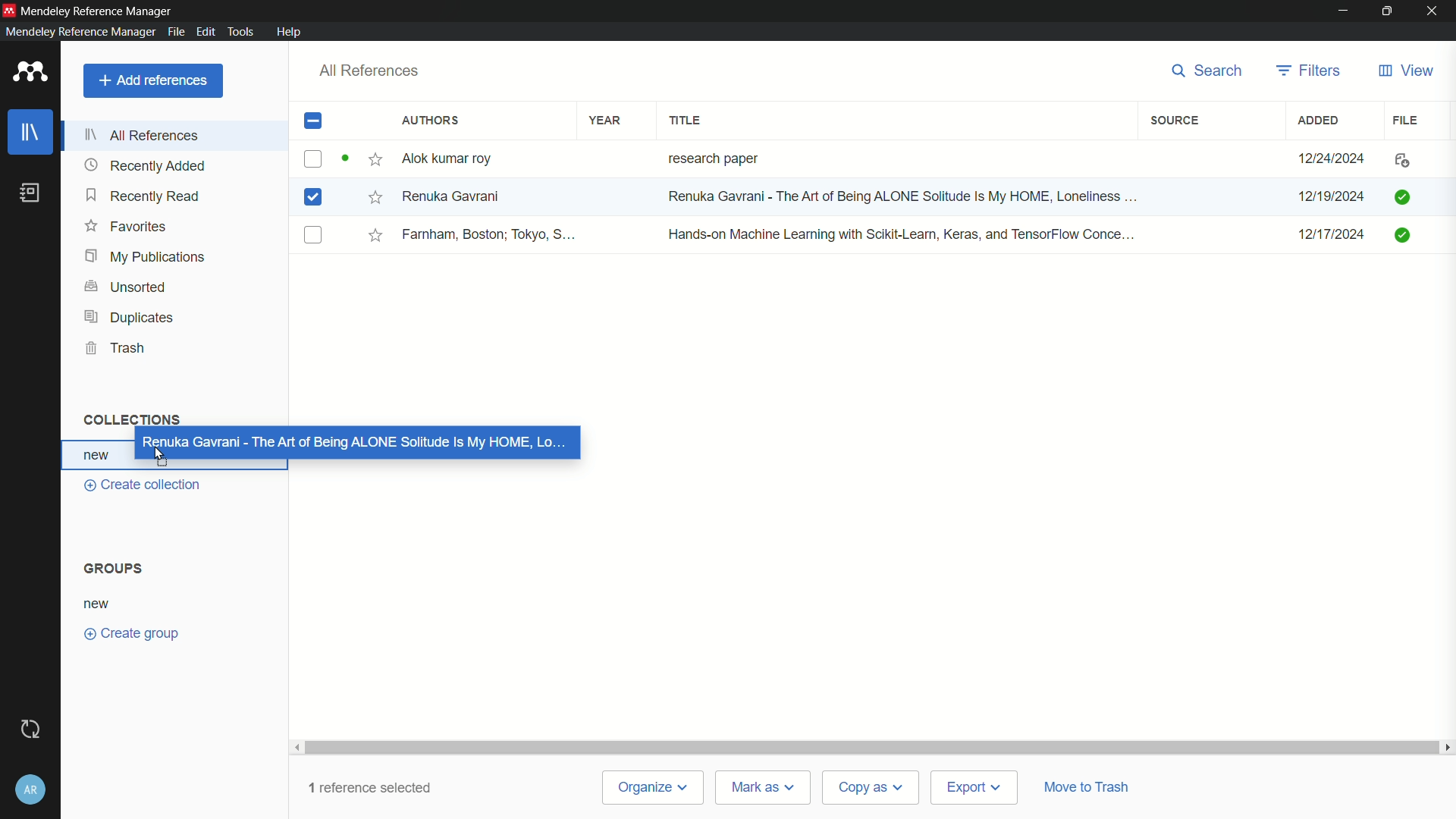 The width and height of the screenshot is (1456, 819). What do you see at coordinates (492, 235) in the screenshot?
I see `Farnham, Boston; Tokyo, S...` at bounding box center [492, 235].